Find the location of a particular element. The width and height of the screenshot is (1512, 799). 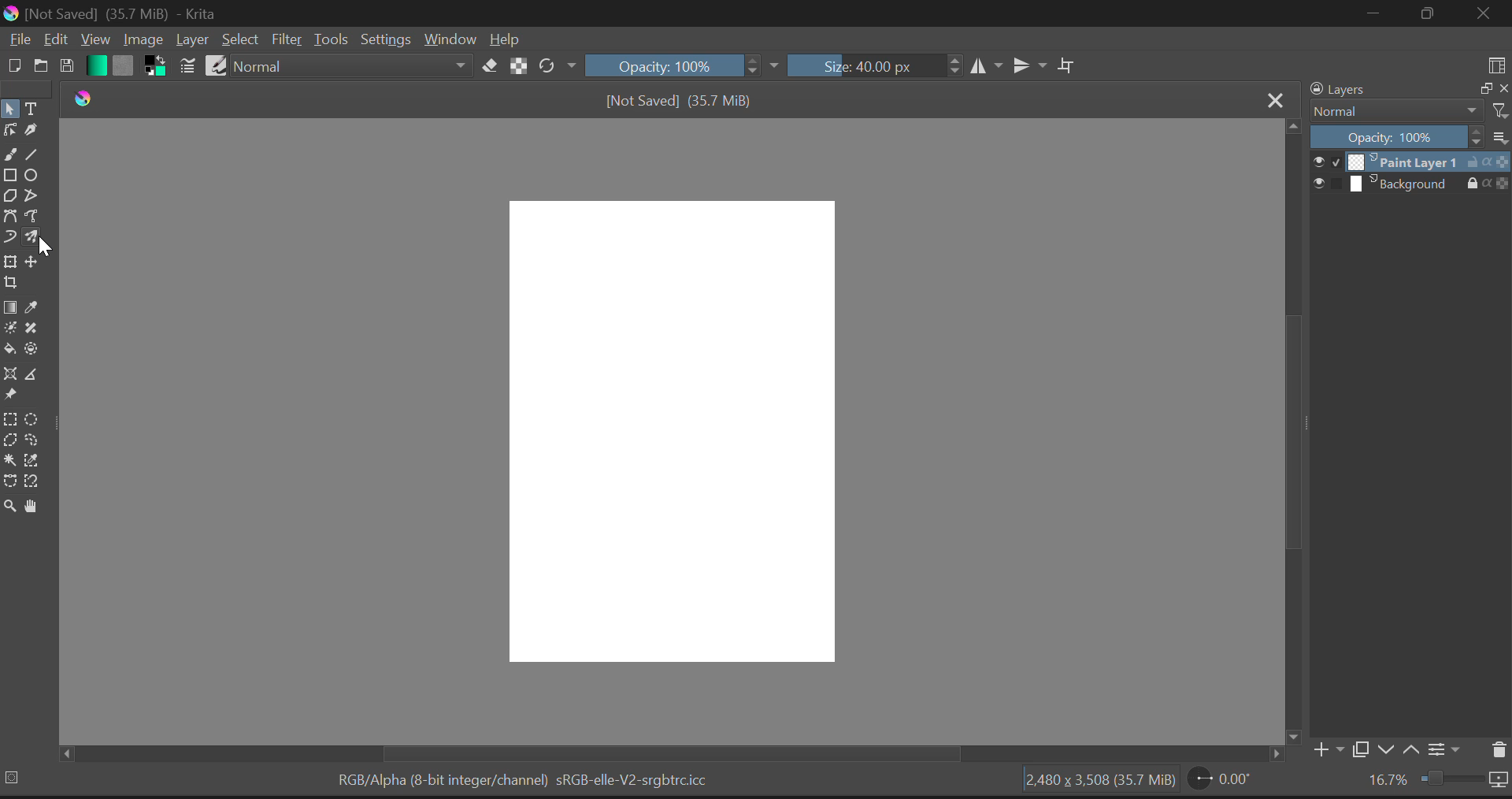

Polygons is located at coordinates (9, 195).